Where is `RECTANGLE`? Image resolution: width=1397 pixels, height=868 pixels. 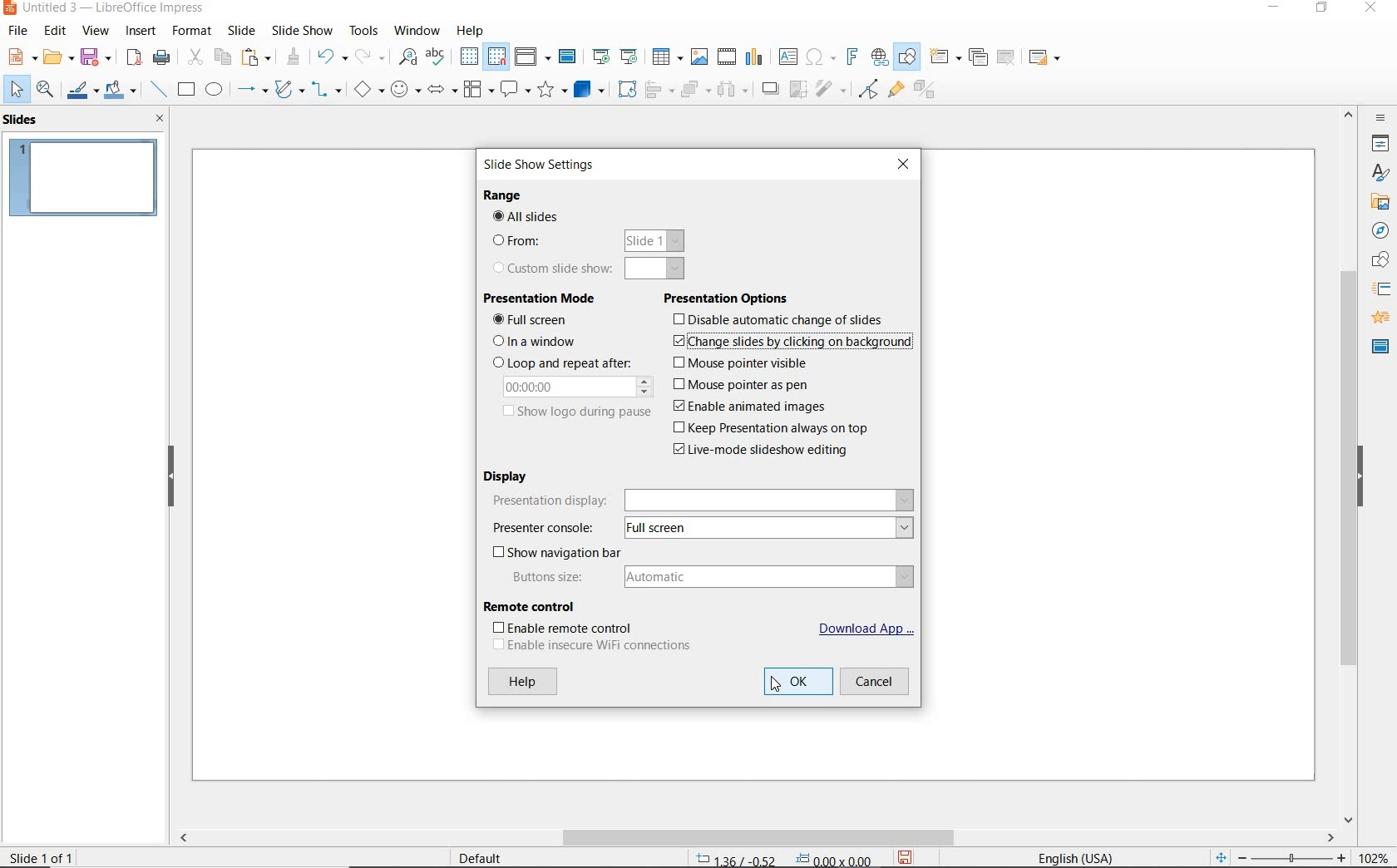 RECTANGLE is located at coordinates (188, 89).